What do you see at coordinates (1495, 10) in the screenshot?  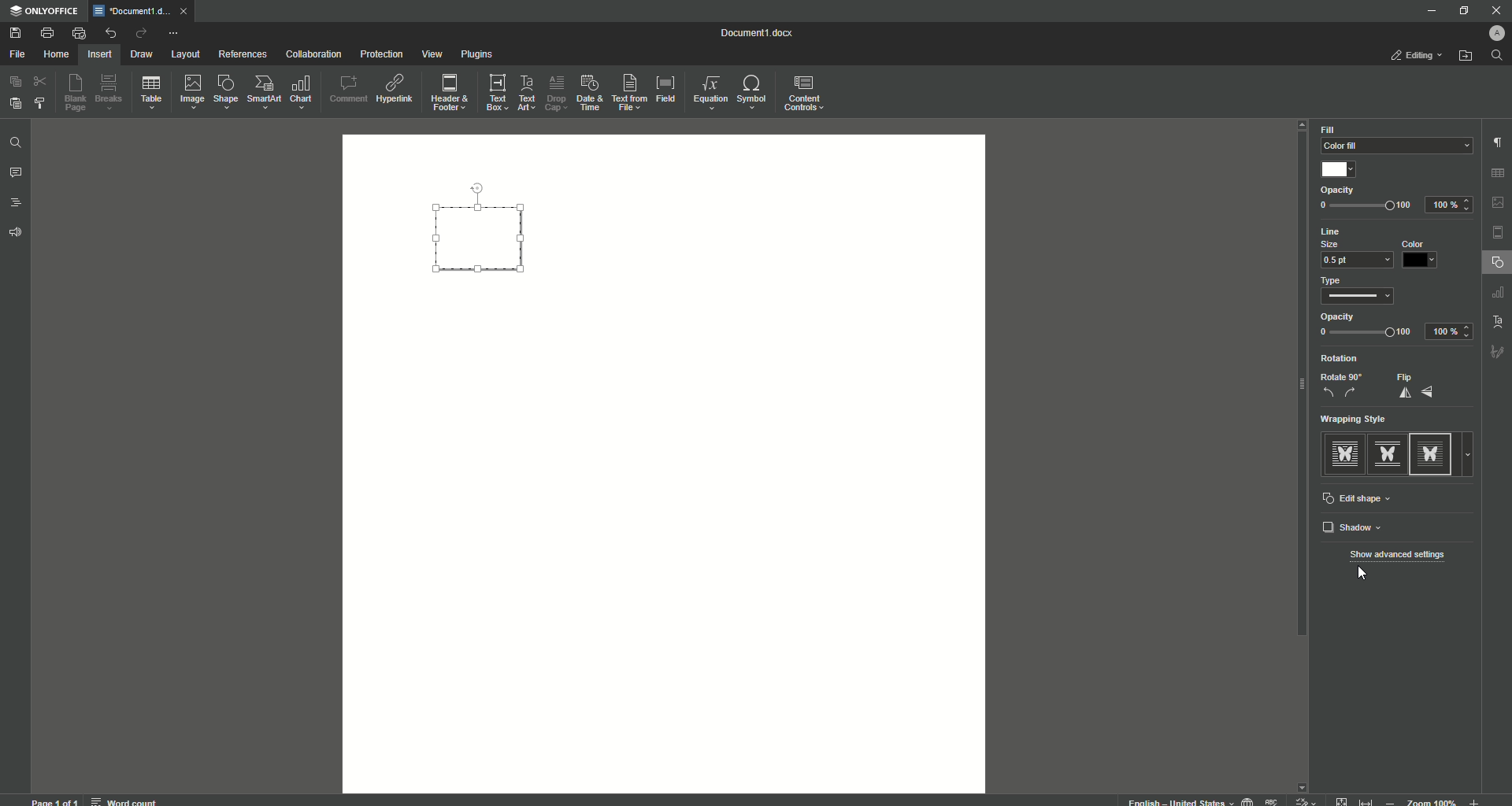 I see `Close` at bounding box center [1495, 10].